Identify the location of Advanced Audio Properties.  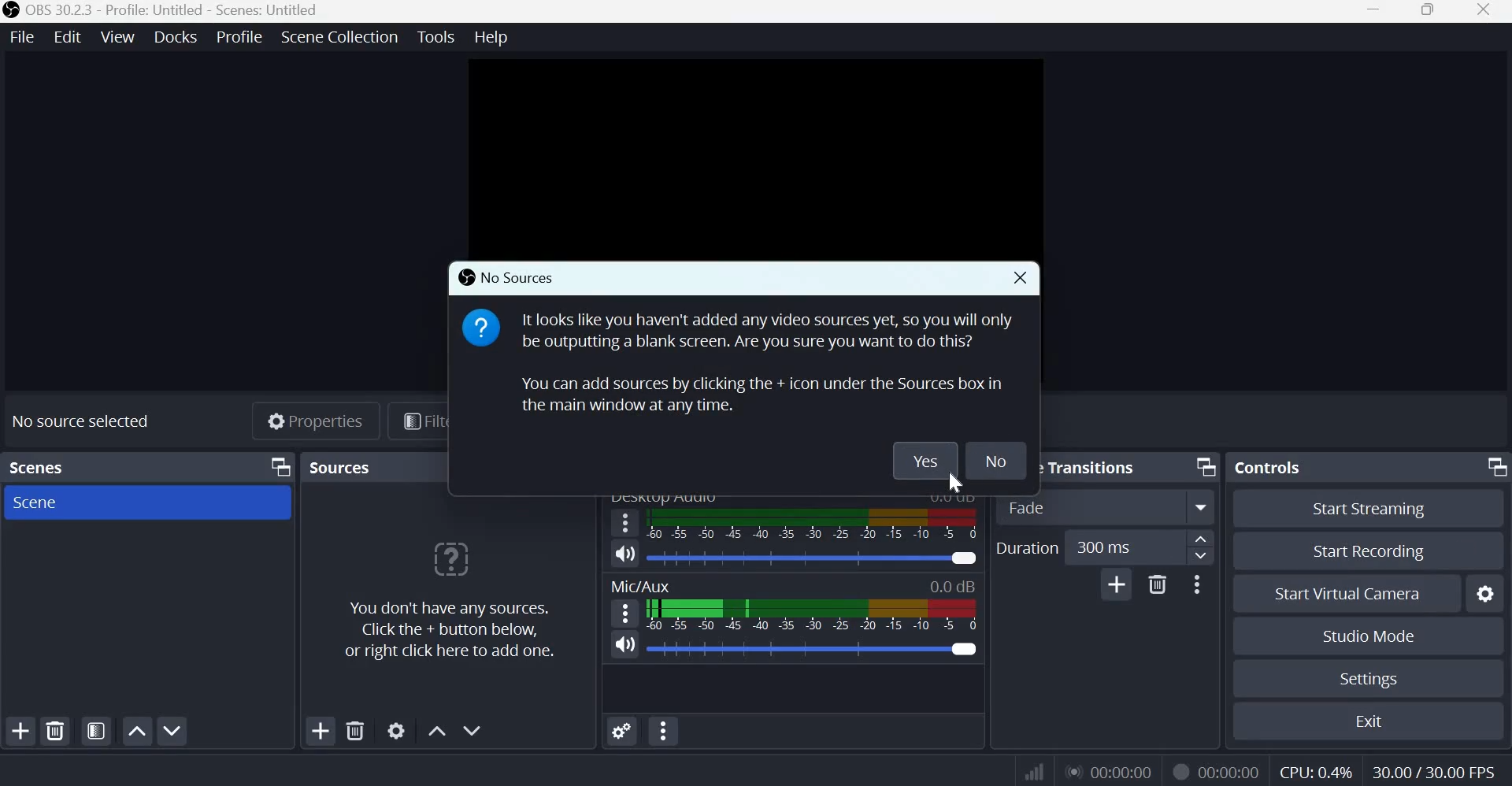
(622, 730).